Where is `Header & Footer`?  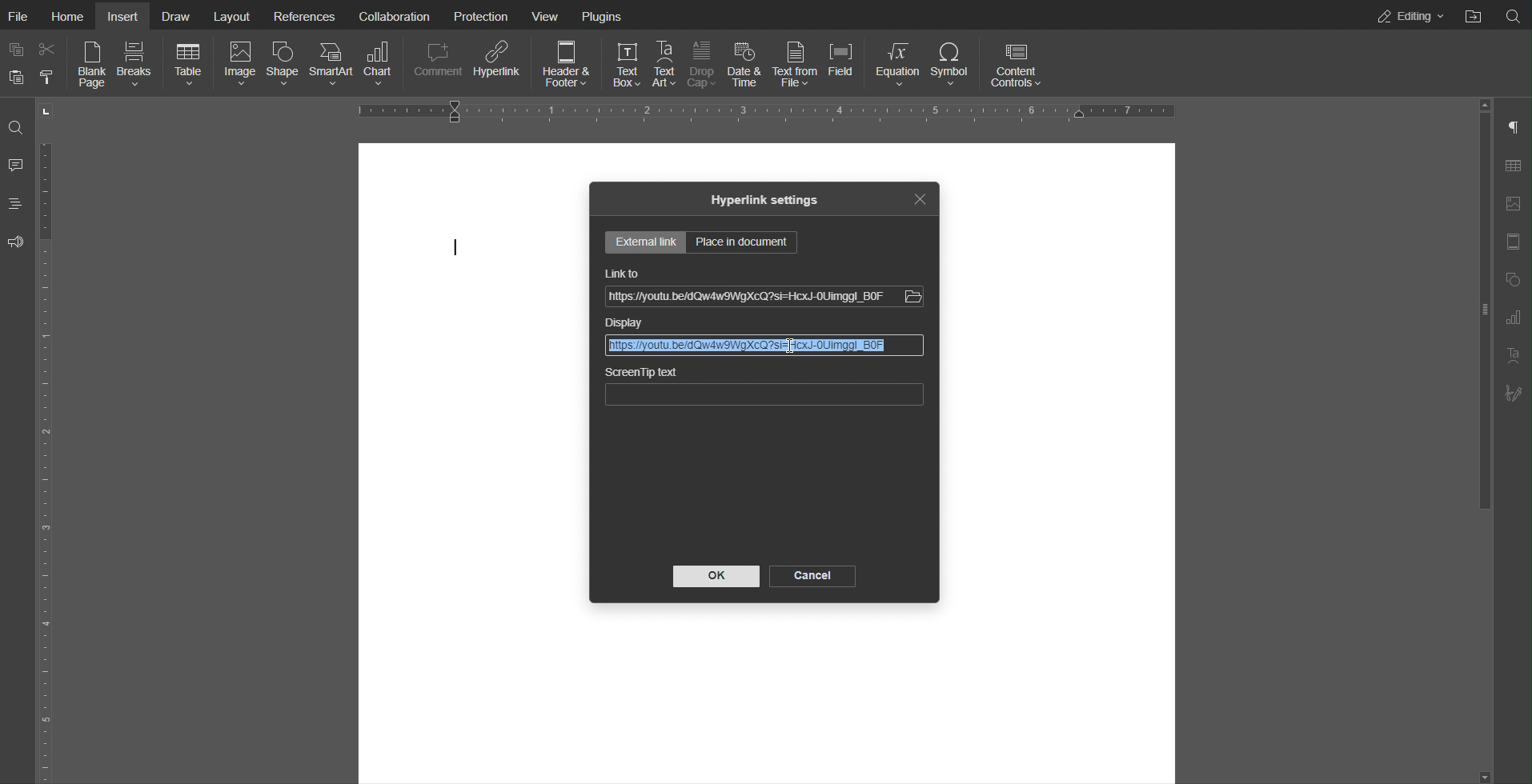
Header & Footer is located at coordinates (565, 63).